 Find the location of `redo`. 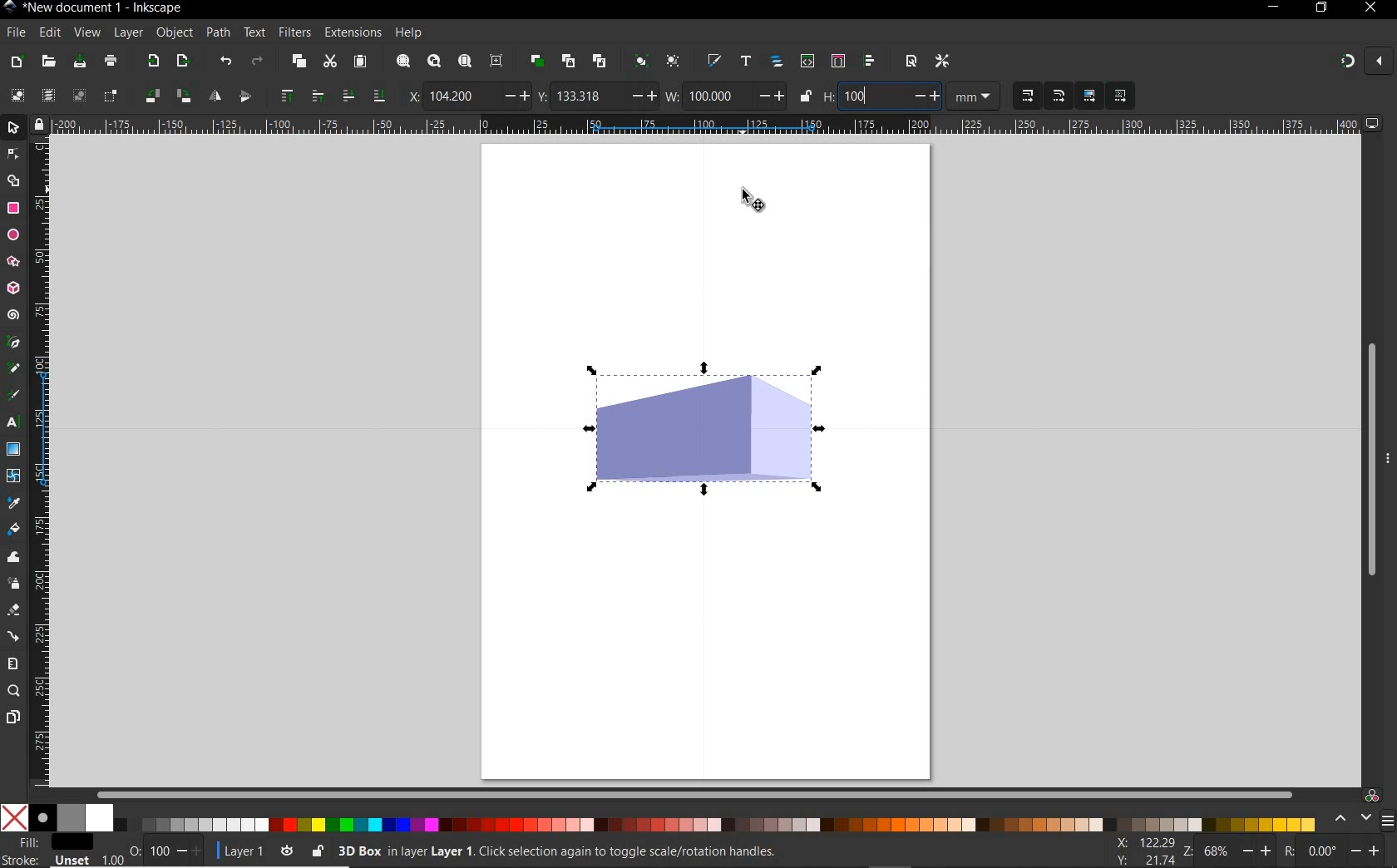

redo is located at coordinates (258, 60).